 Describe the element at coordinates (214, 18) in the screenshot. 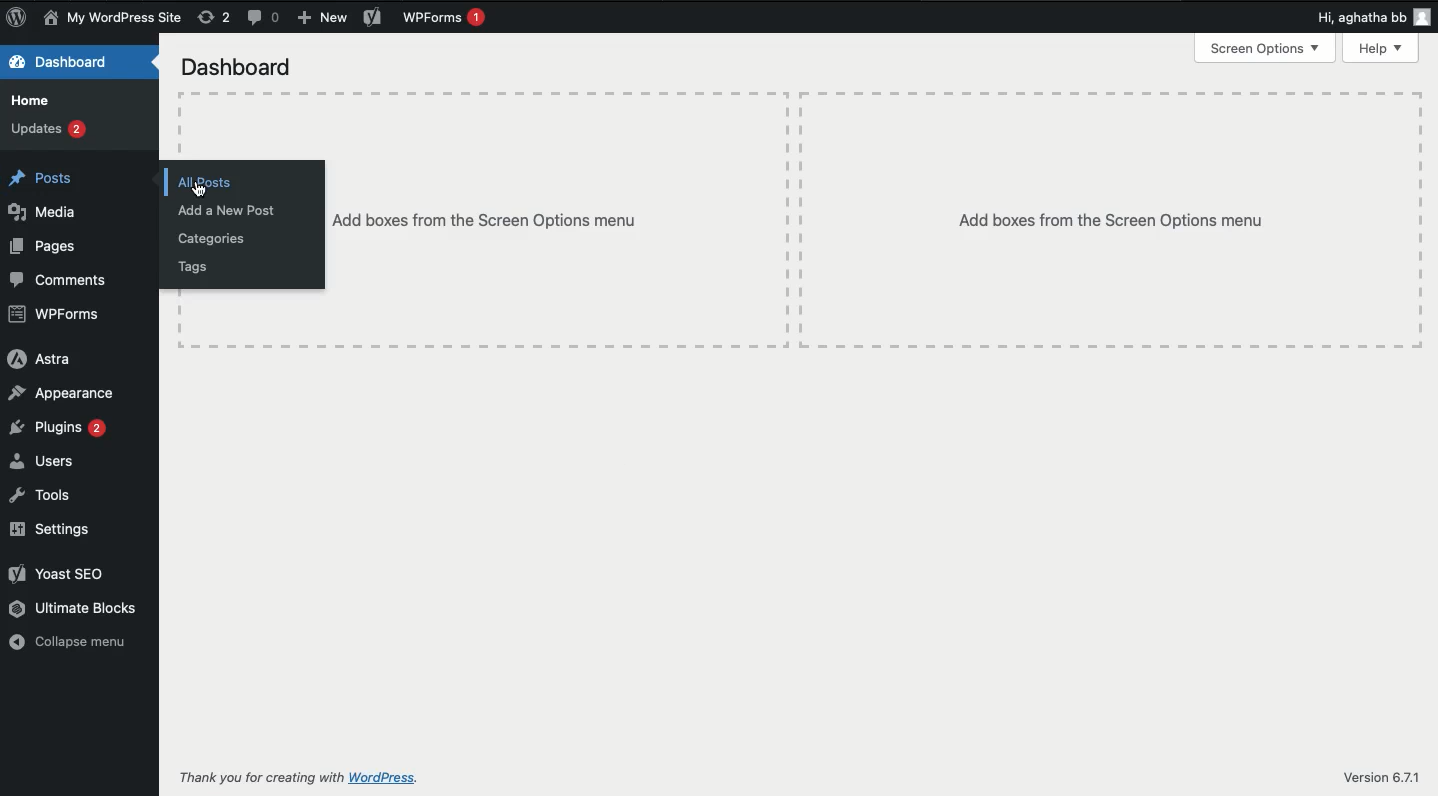

I see `Revisions` at that location.